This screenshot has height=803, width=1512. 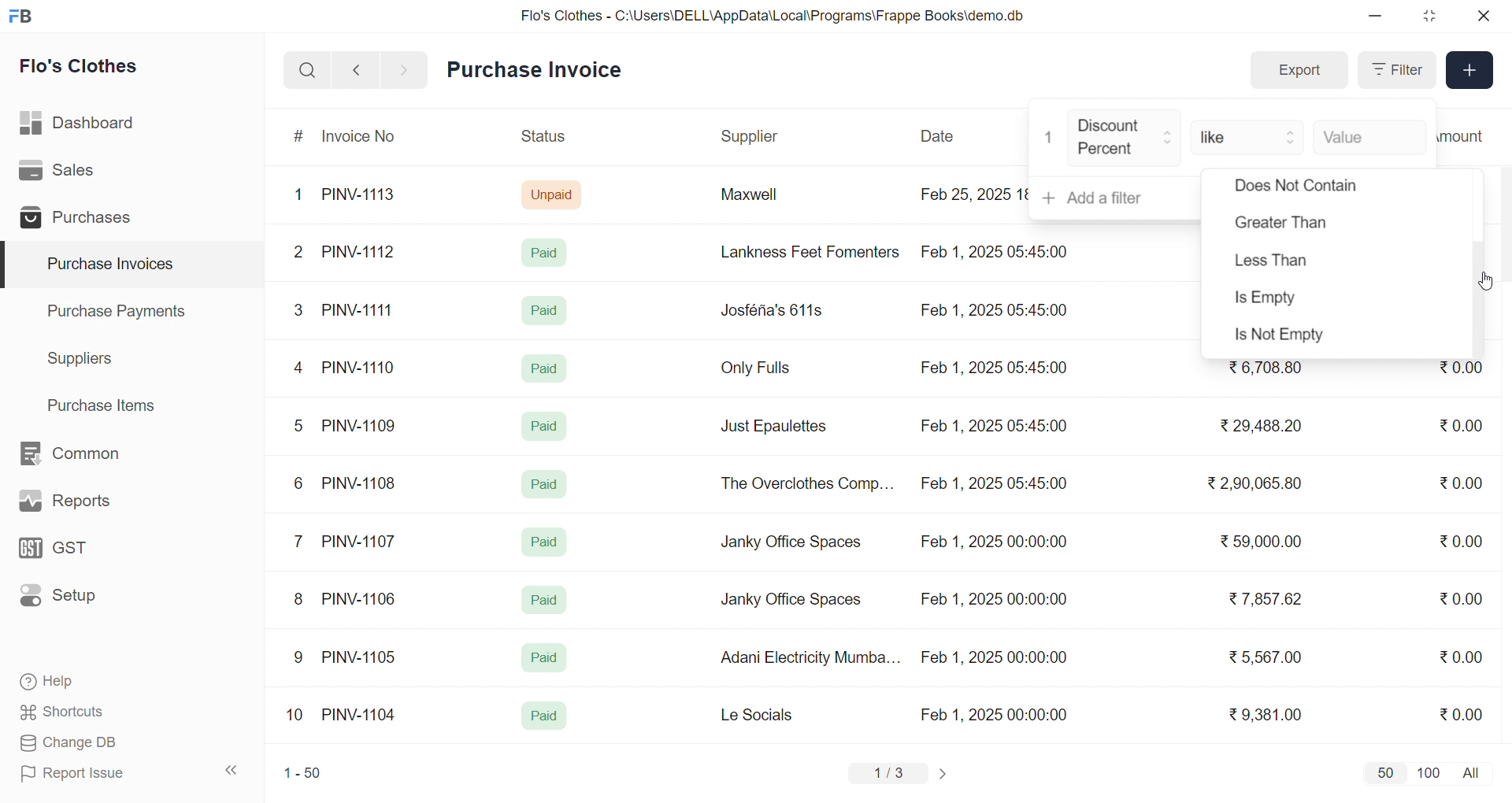 What do you see at coordinates (939, 136) in the screenshot?
I see `Date` at bounding box center [939, 136].